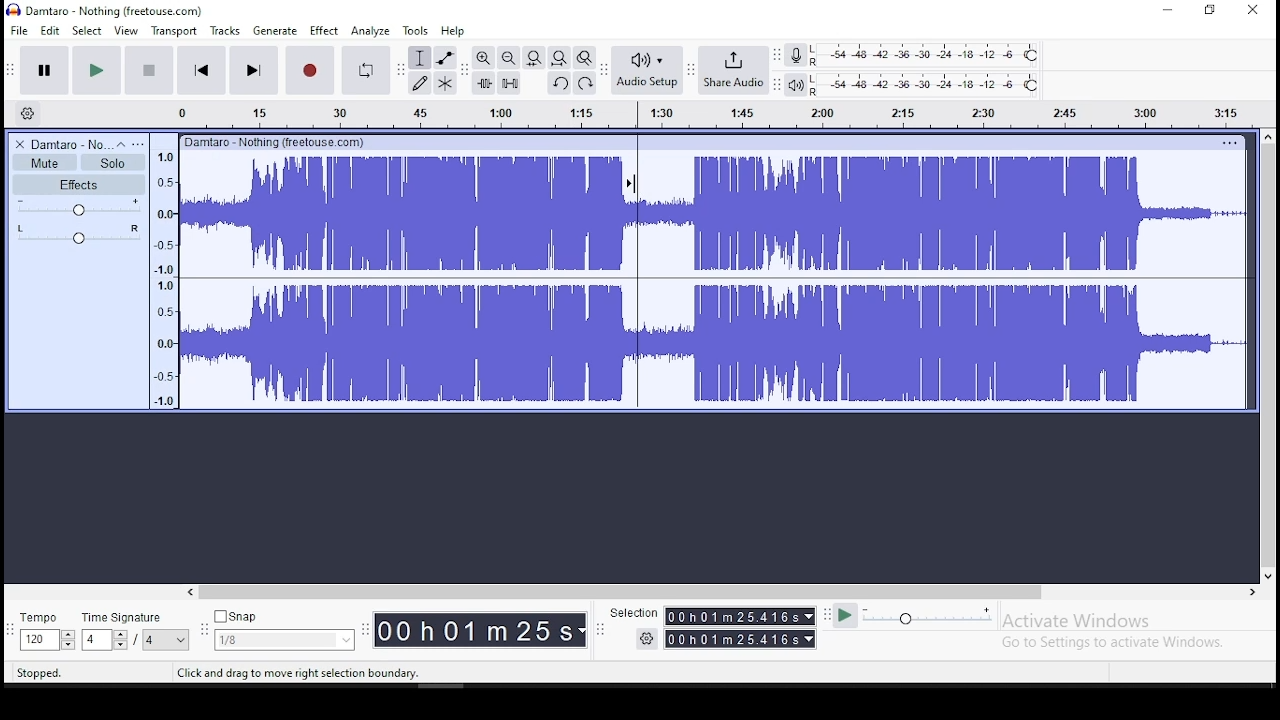 This screenshot has width=1280, height=720. Describe the element at coordinates (69, 143) in the screenshot. I see `audio track name` at that location.